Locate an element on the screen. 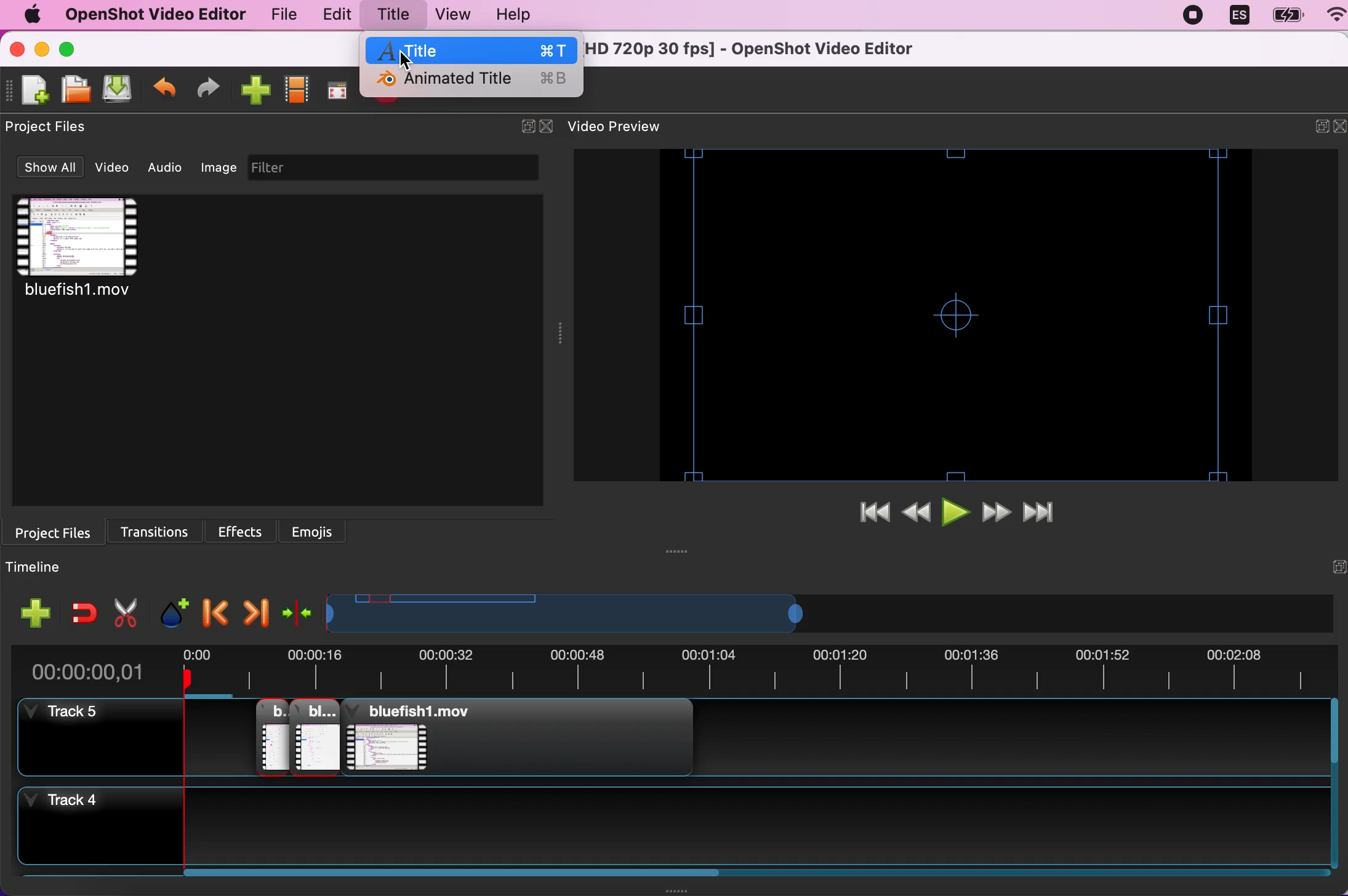  close is located at coordinates (548, 127).